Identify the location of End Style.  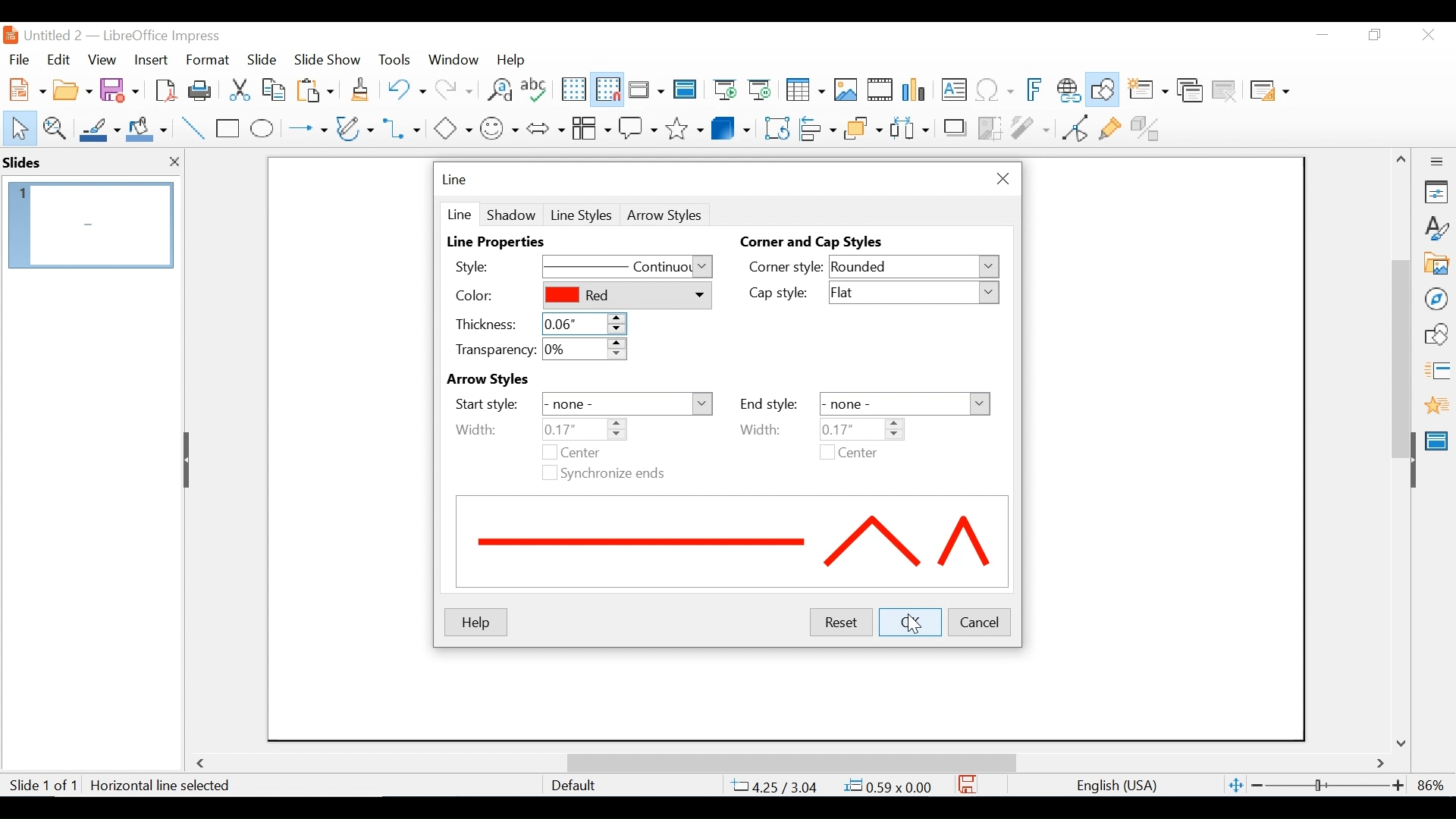
(768, 404).